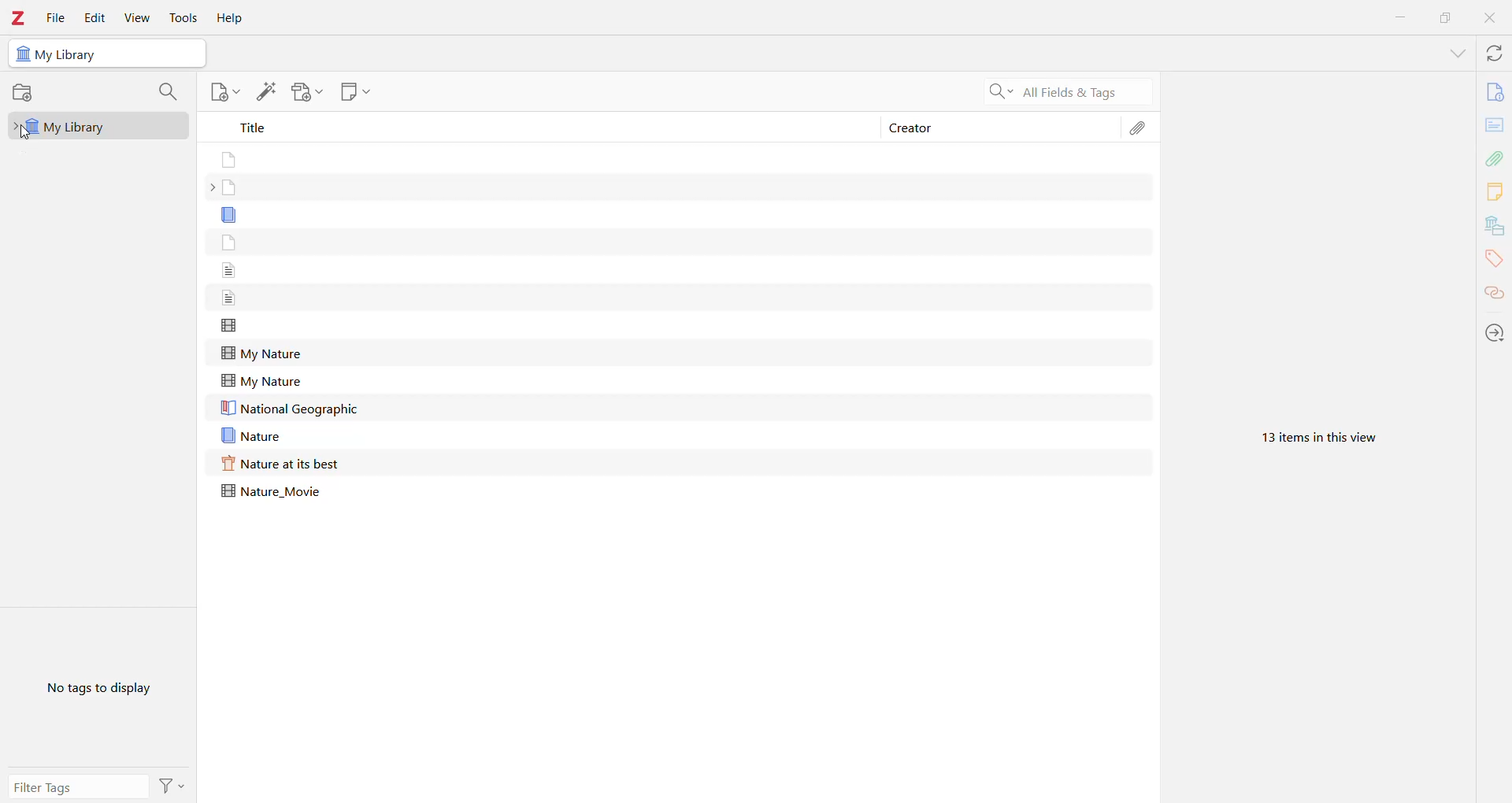 The height and width of the screenshot is (803, 1512). What do you see at coordinates (95, 17) in the screenshot?
I see `Edit` at bounding box center [95, 17].